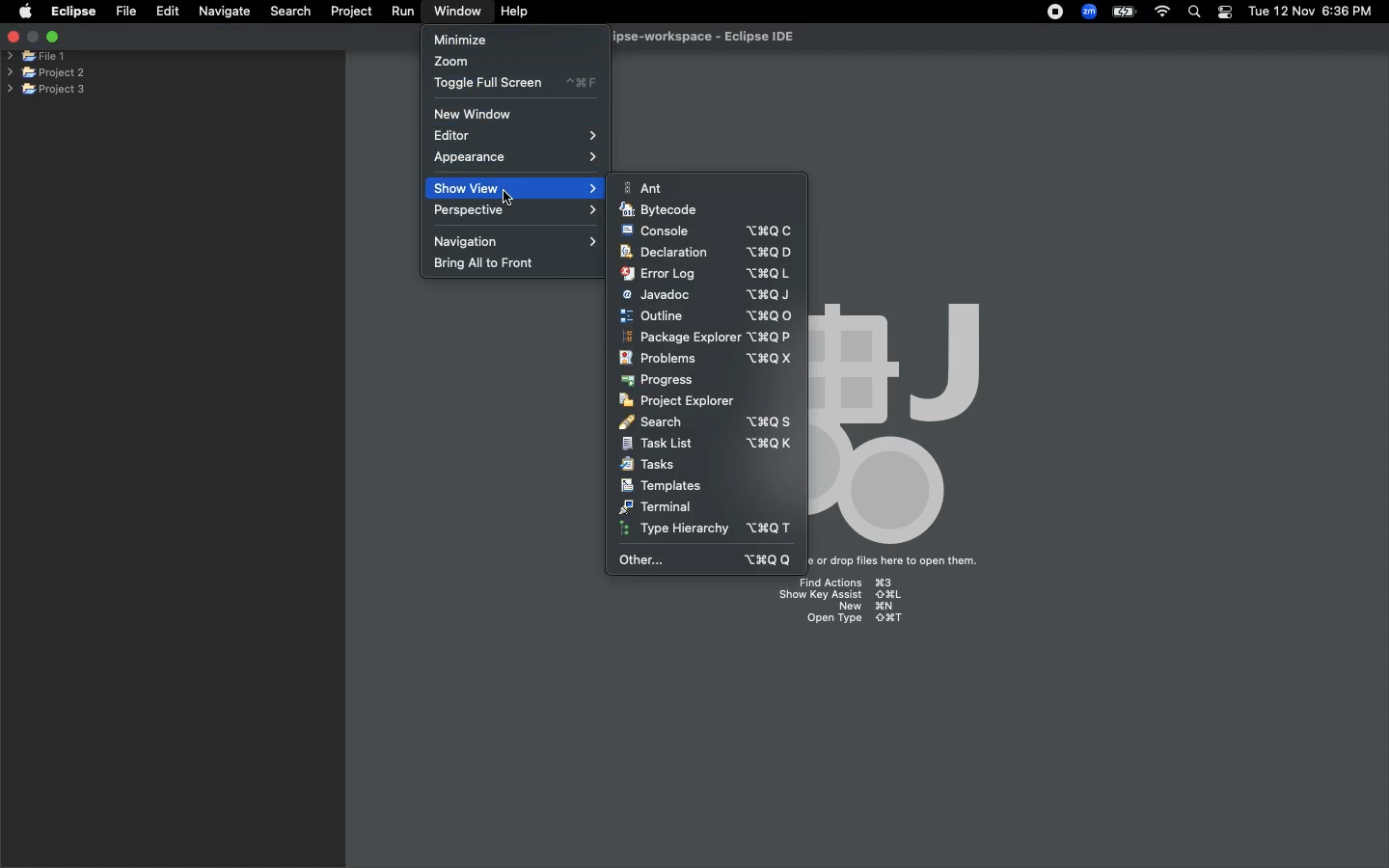 This screenshot has width=1389, height=868. I want to click on Appearance, so click(516, 159).